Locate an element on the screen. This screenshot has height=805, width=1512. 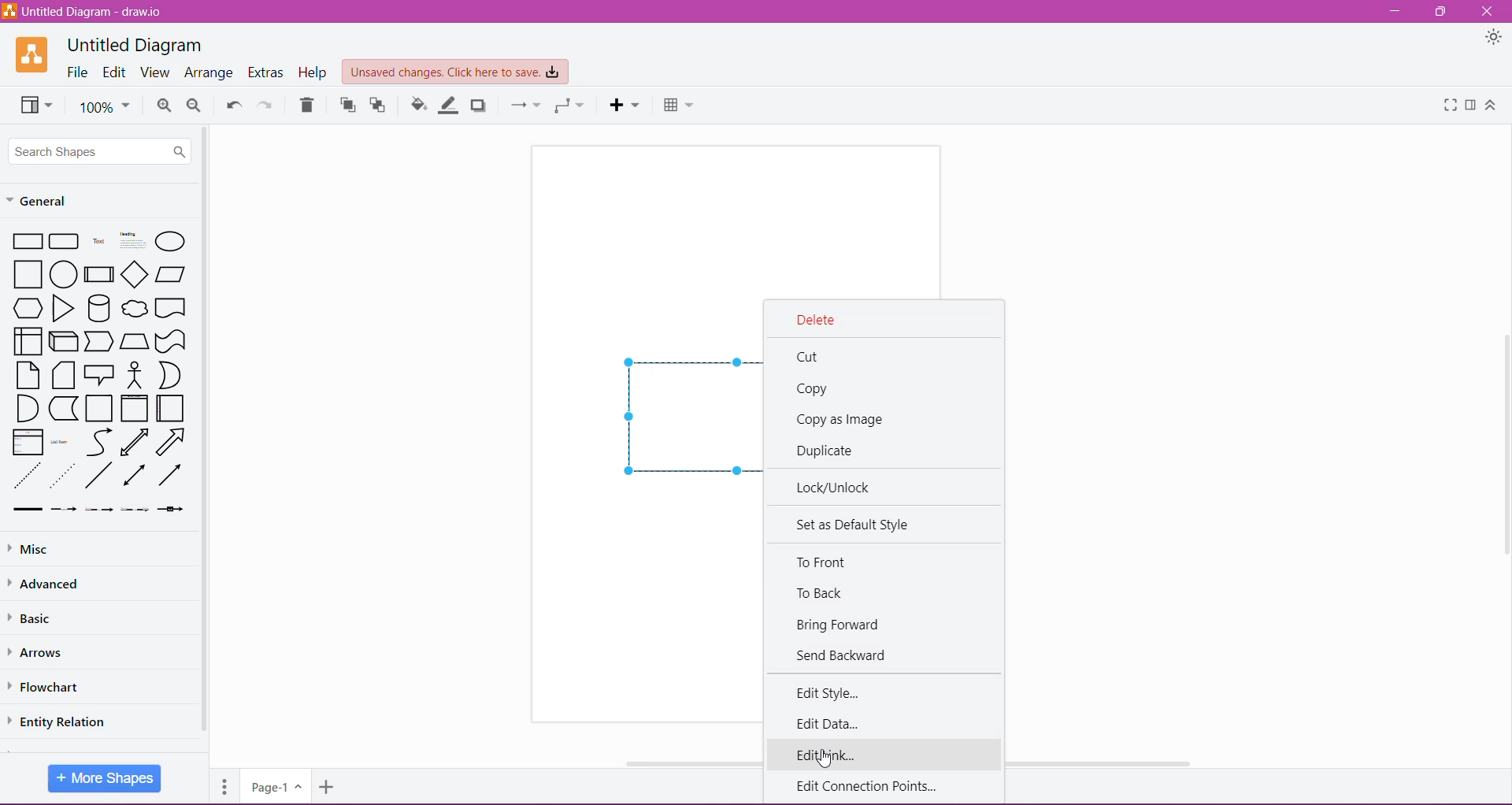
Available shapes under Genera category is located at coordinates (98, 372).